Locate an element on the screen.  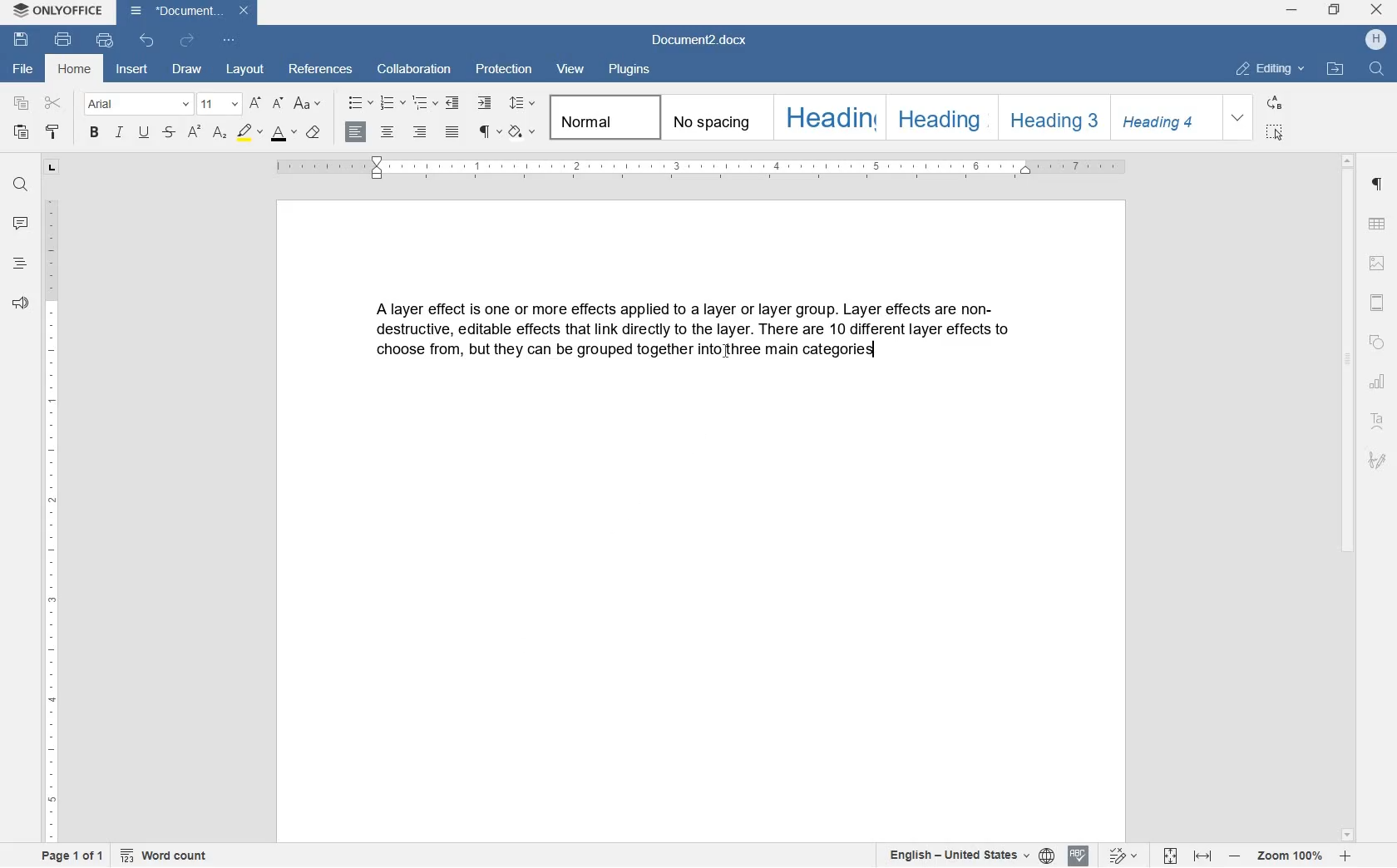
image is located at coordinates (1378, 264).